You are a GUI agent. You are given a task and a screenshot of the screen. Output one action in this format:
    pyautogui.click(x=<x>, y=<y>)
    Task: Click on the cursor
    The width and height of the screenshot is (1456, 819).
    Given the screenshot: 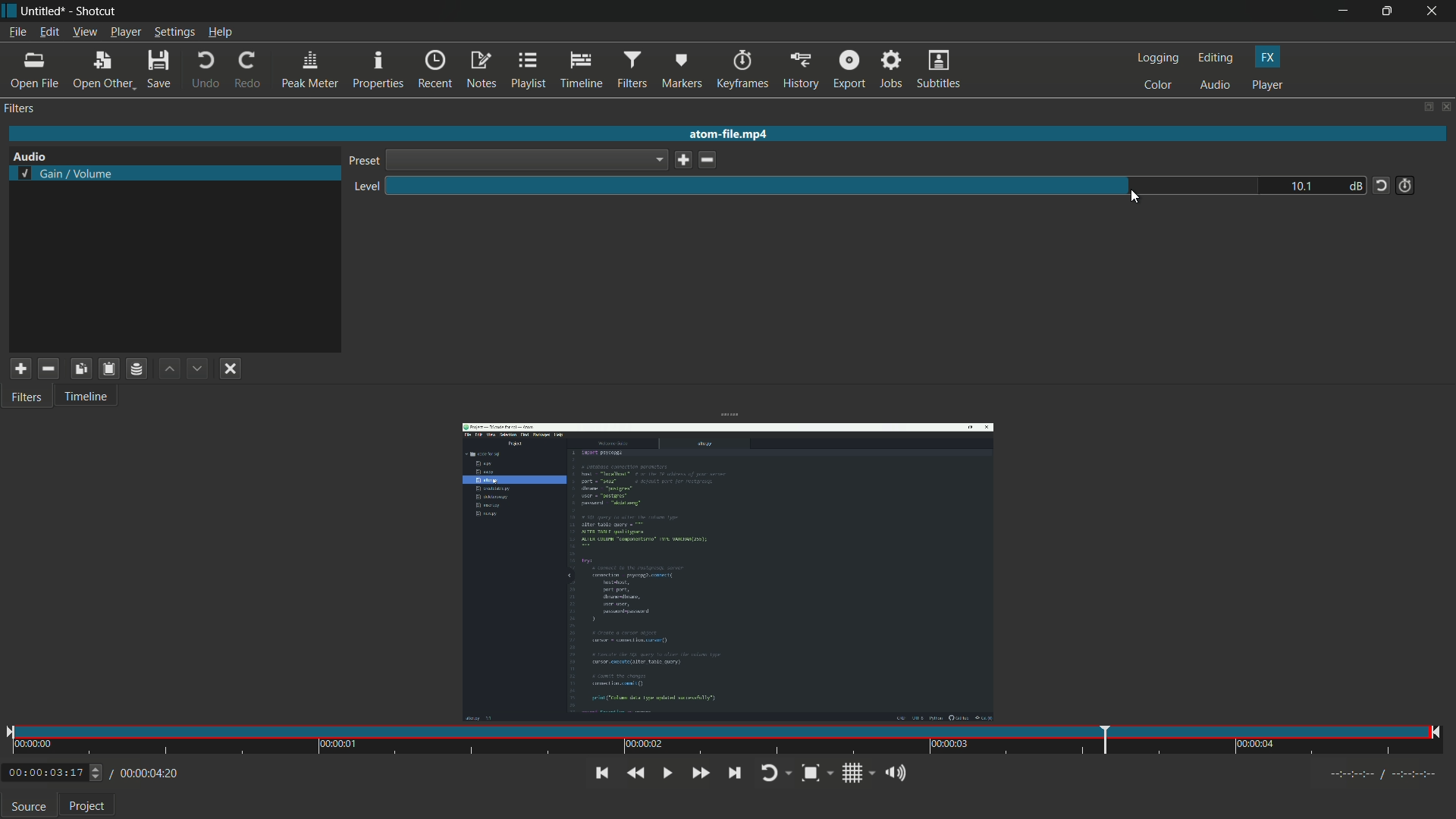 What is the action you would take?
    pyautogui.click(x=1137, y=198)
    